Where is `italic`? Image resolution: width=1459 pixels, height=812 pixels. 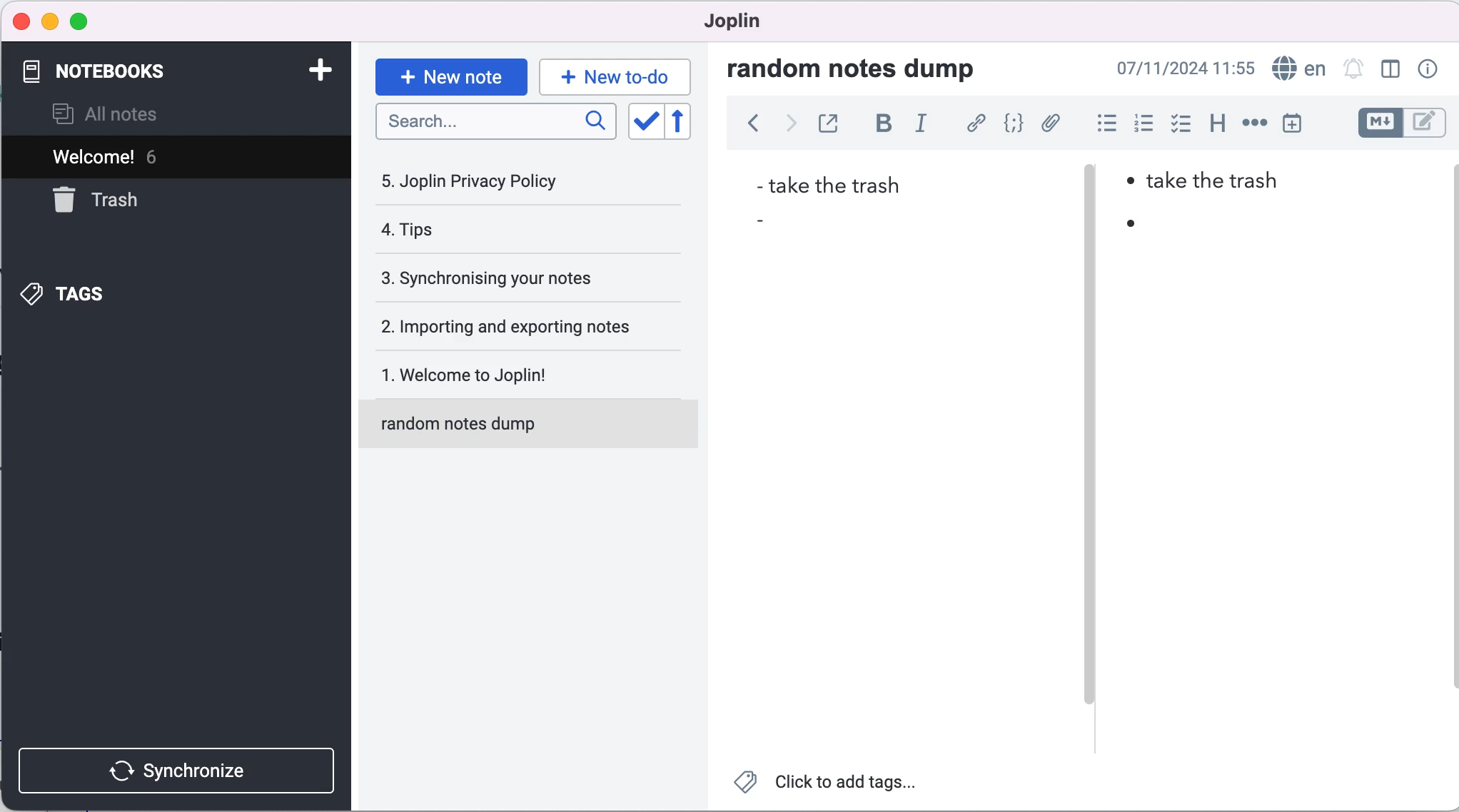
italic is located at coordinates (923, 128).